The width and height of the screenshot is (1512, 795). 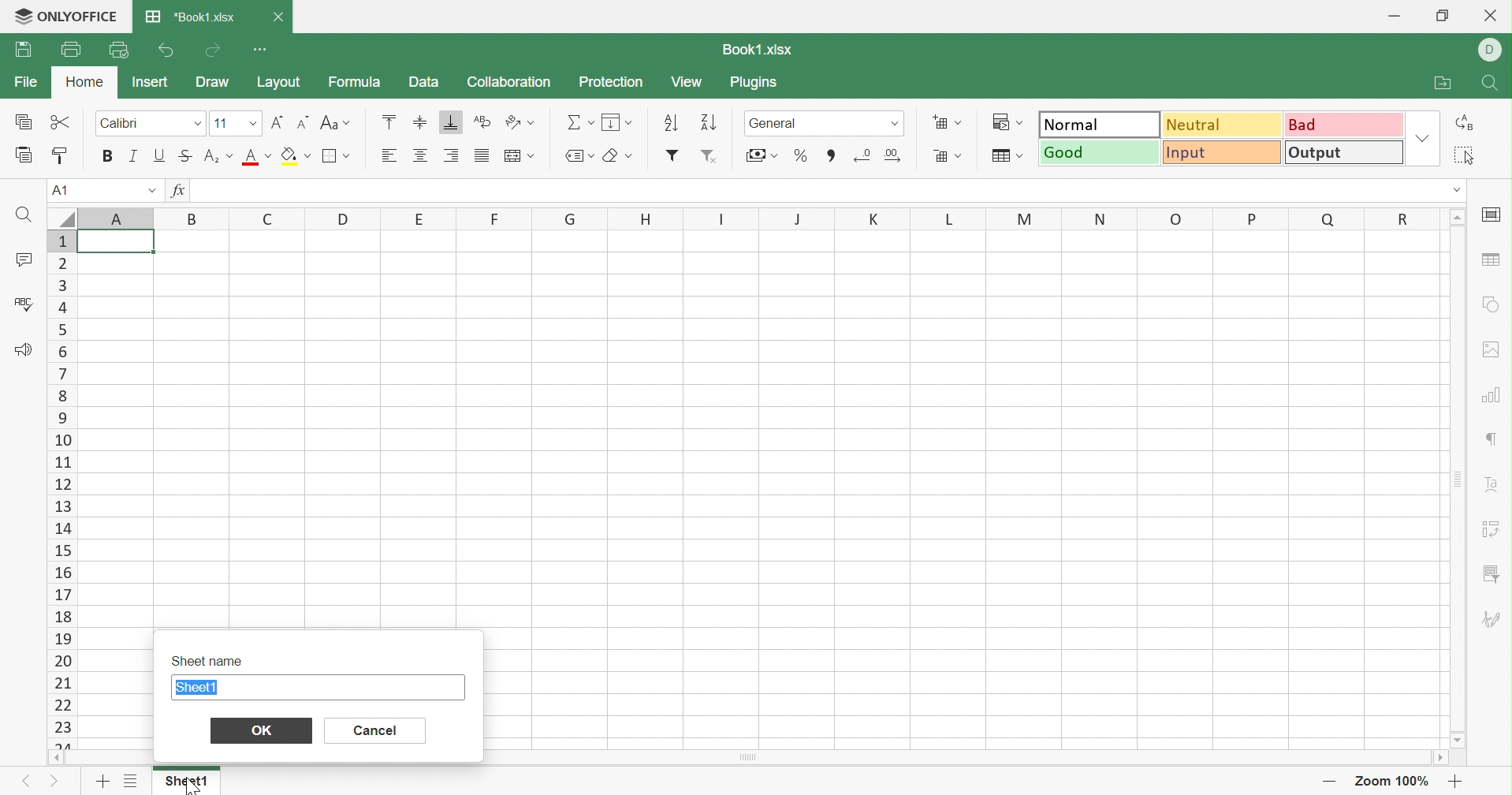 I want to click on Home, so click(x=84, y=83).